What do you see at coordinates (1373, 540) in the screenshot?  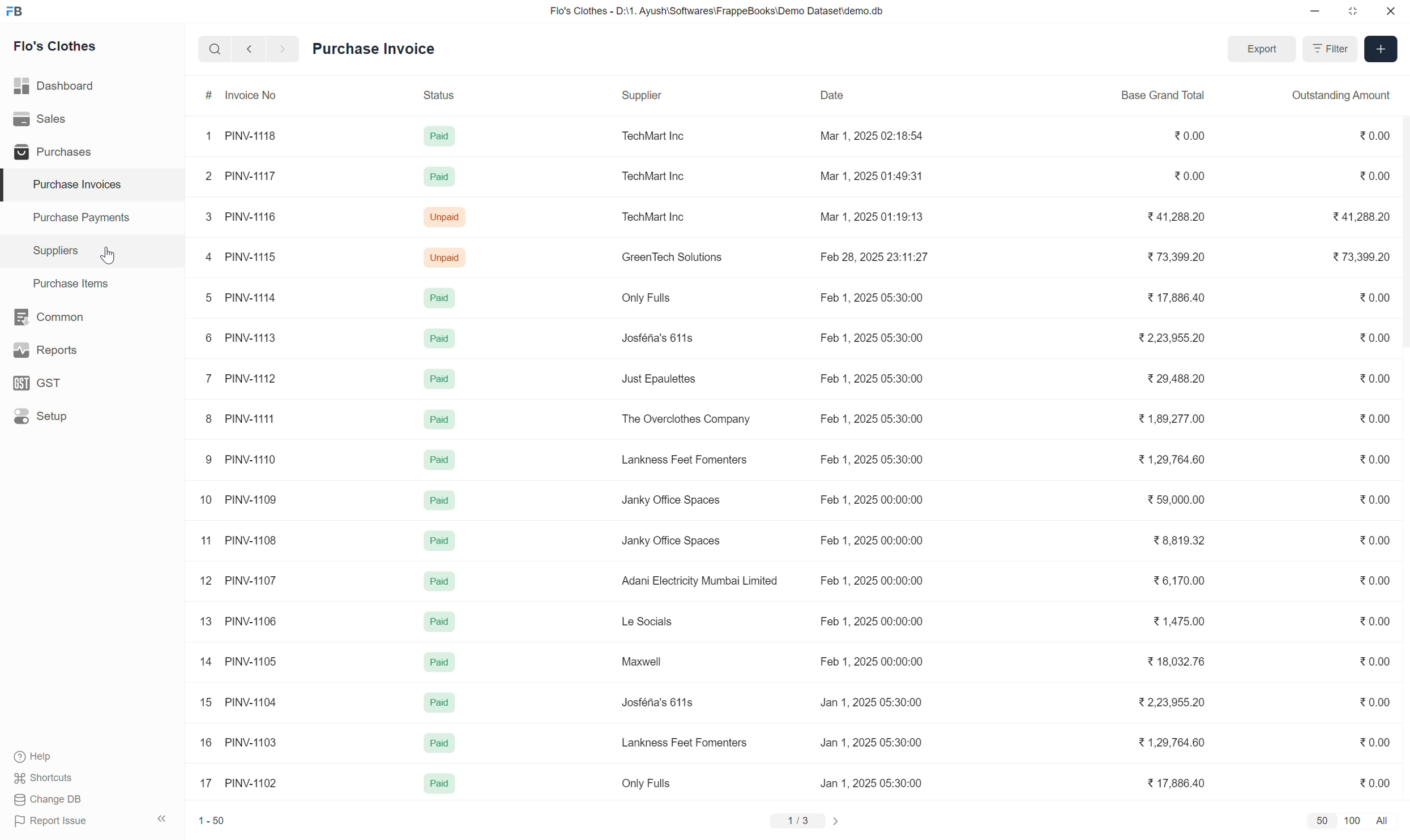 I see `30.00` at bounding box center [1373, 540].